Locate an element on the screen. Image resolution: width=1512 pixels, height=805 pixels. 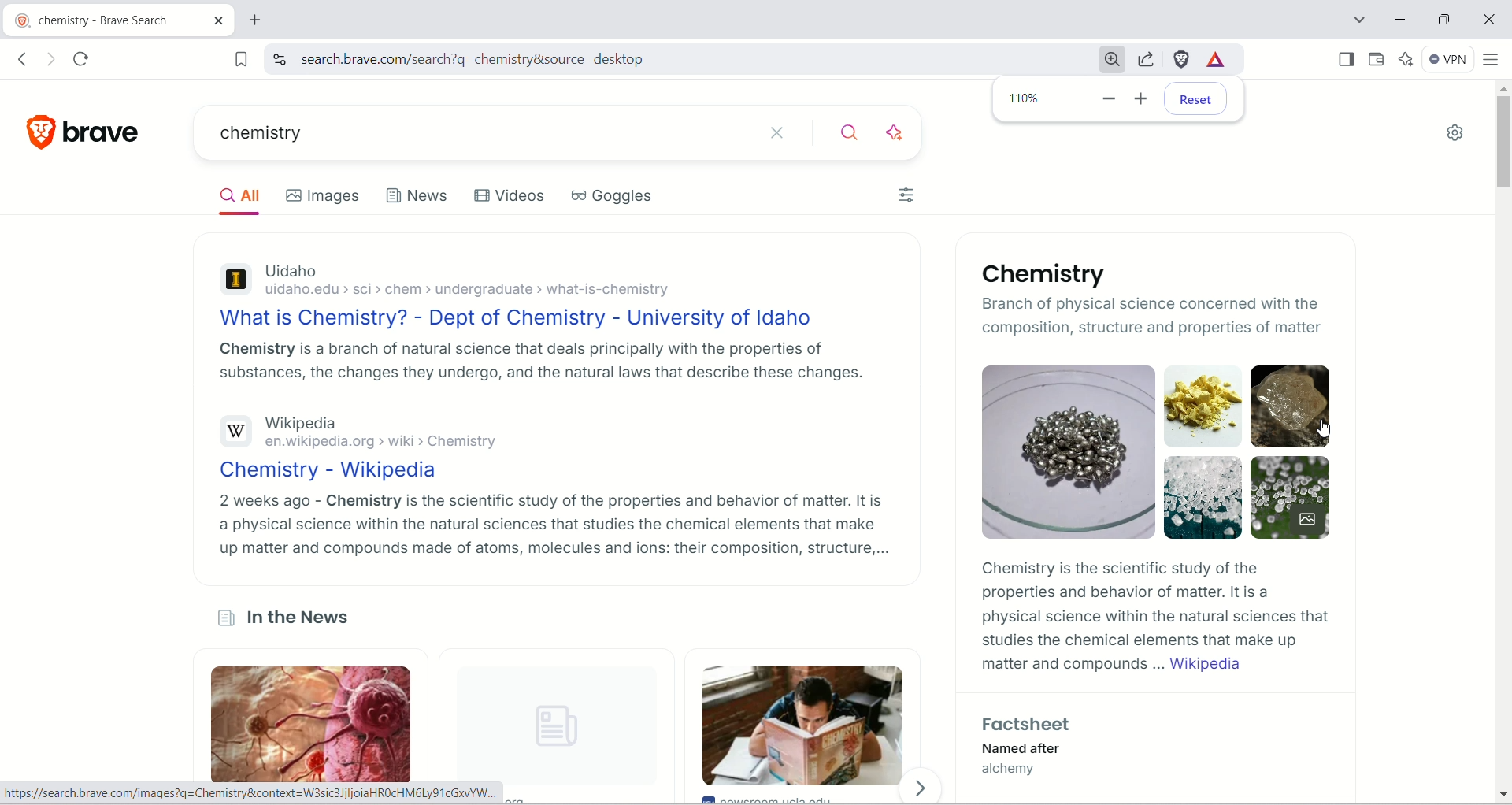
customize and control board is located at coordinates (1490, 59).